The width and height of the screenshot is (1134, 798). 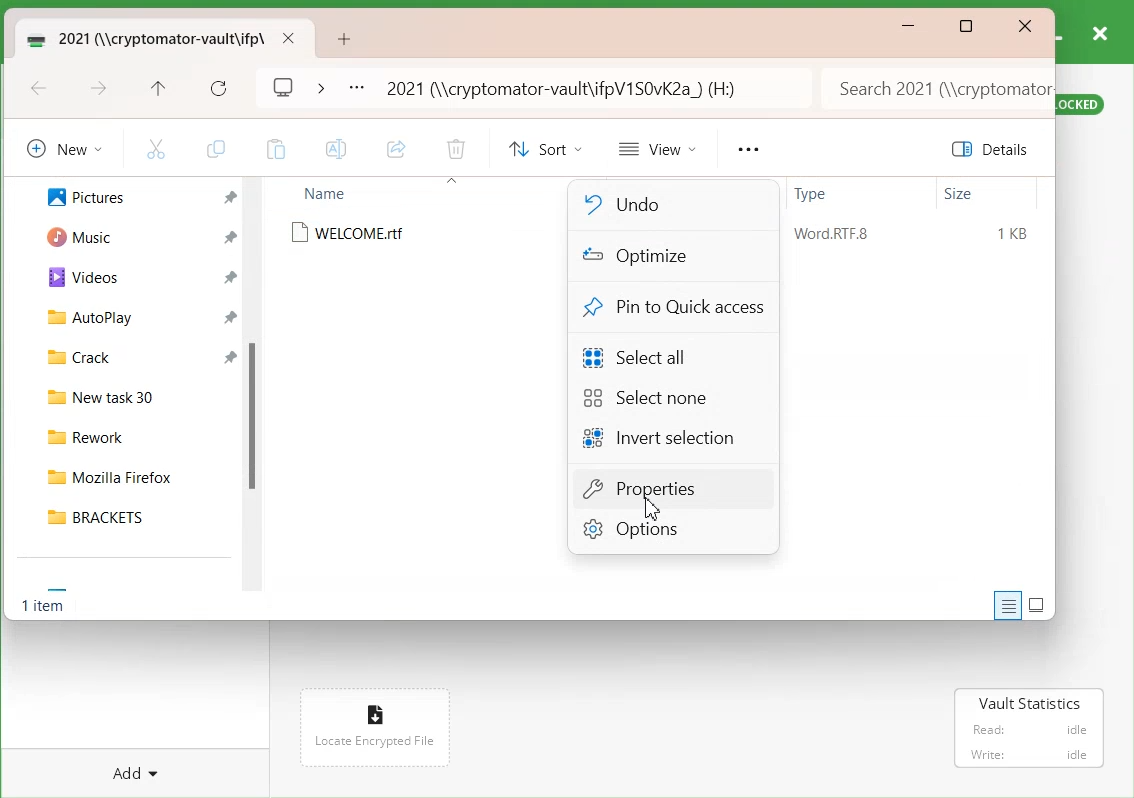 What do you see at coordinates (967, 28) in the screenshot?
I see `Maximize` at bounding box center [967, 28].